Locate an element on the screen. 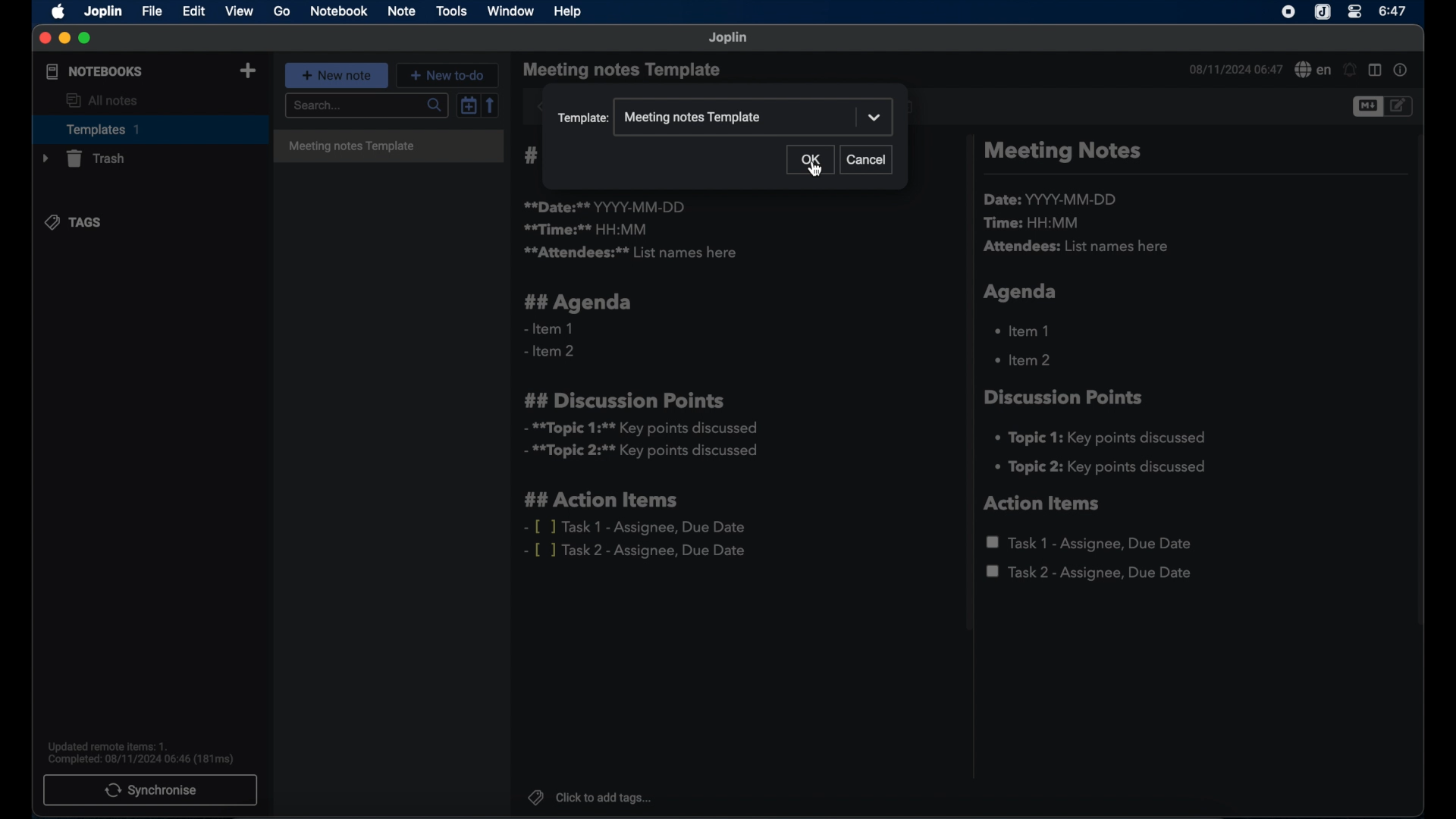  ## agenda is located at coordinates (579, 303).